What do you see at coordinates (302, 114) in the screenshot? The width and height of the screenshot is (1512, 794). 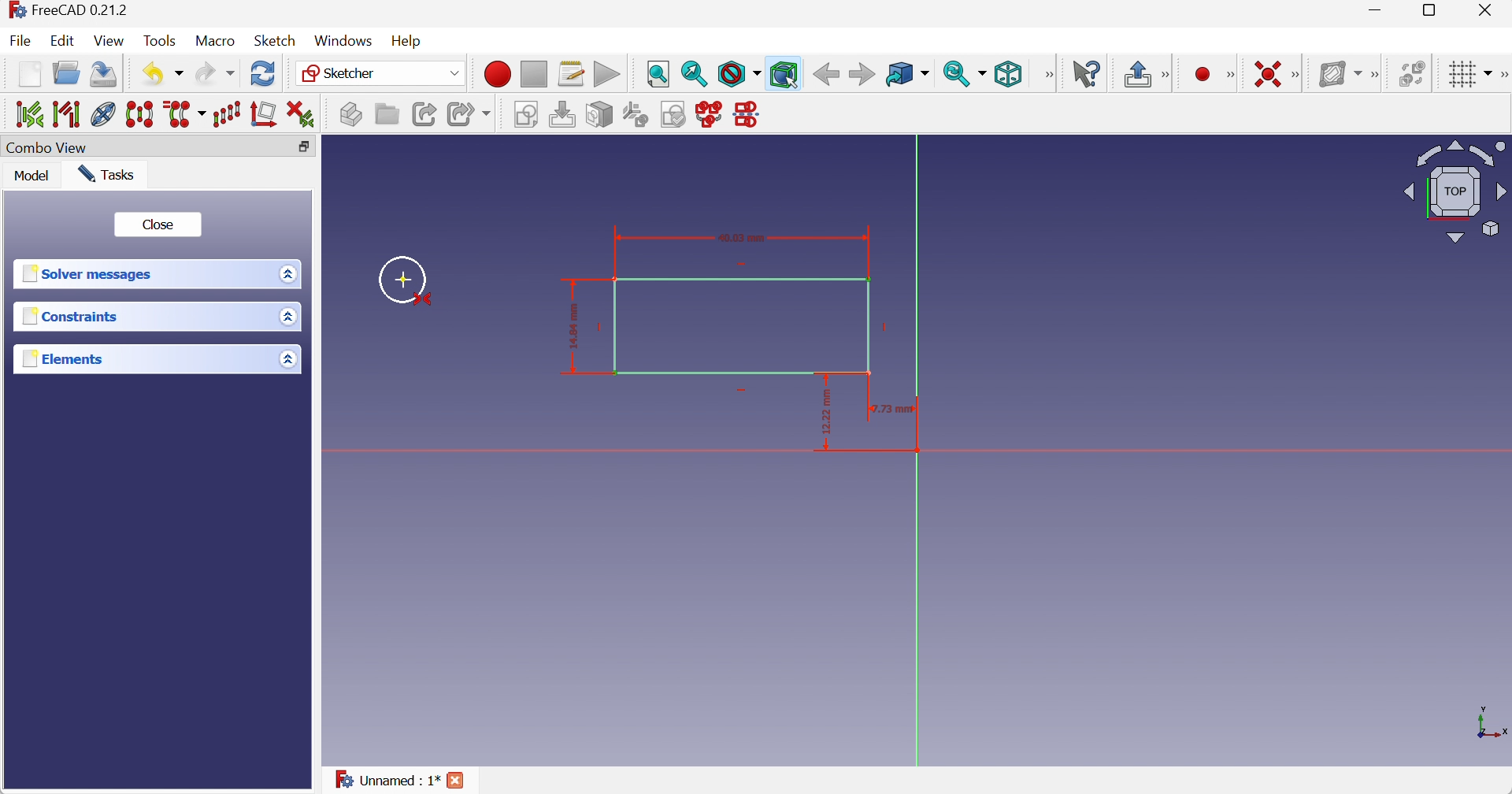 I see `Delete all constraints` at bounding box center [302, 114].